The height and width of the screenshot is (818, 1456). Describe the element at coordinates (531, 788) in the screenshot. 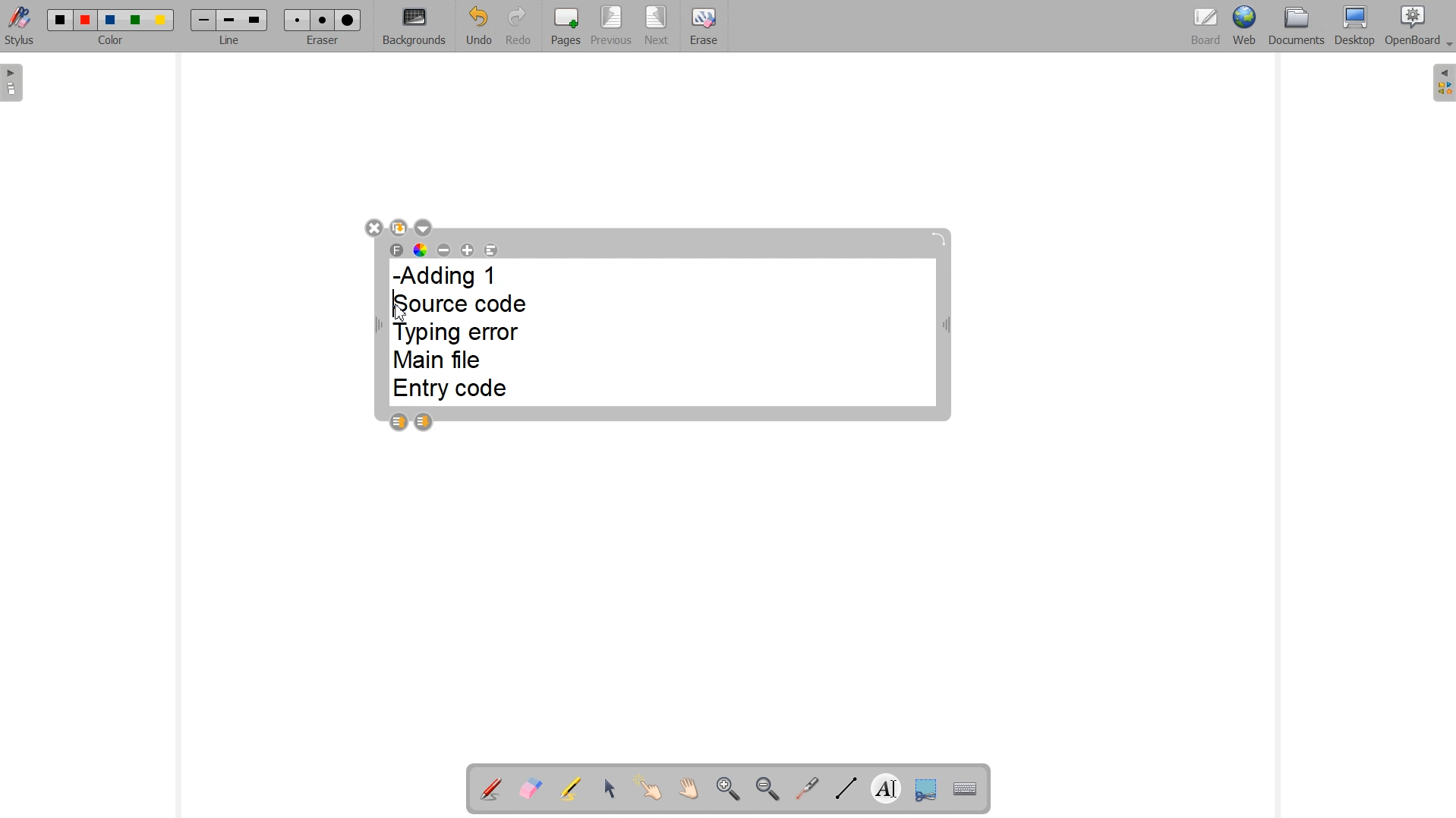

I see `Erase annotation` at that location.